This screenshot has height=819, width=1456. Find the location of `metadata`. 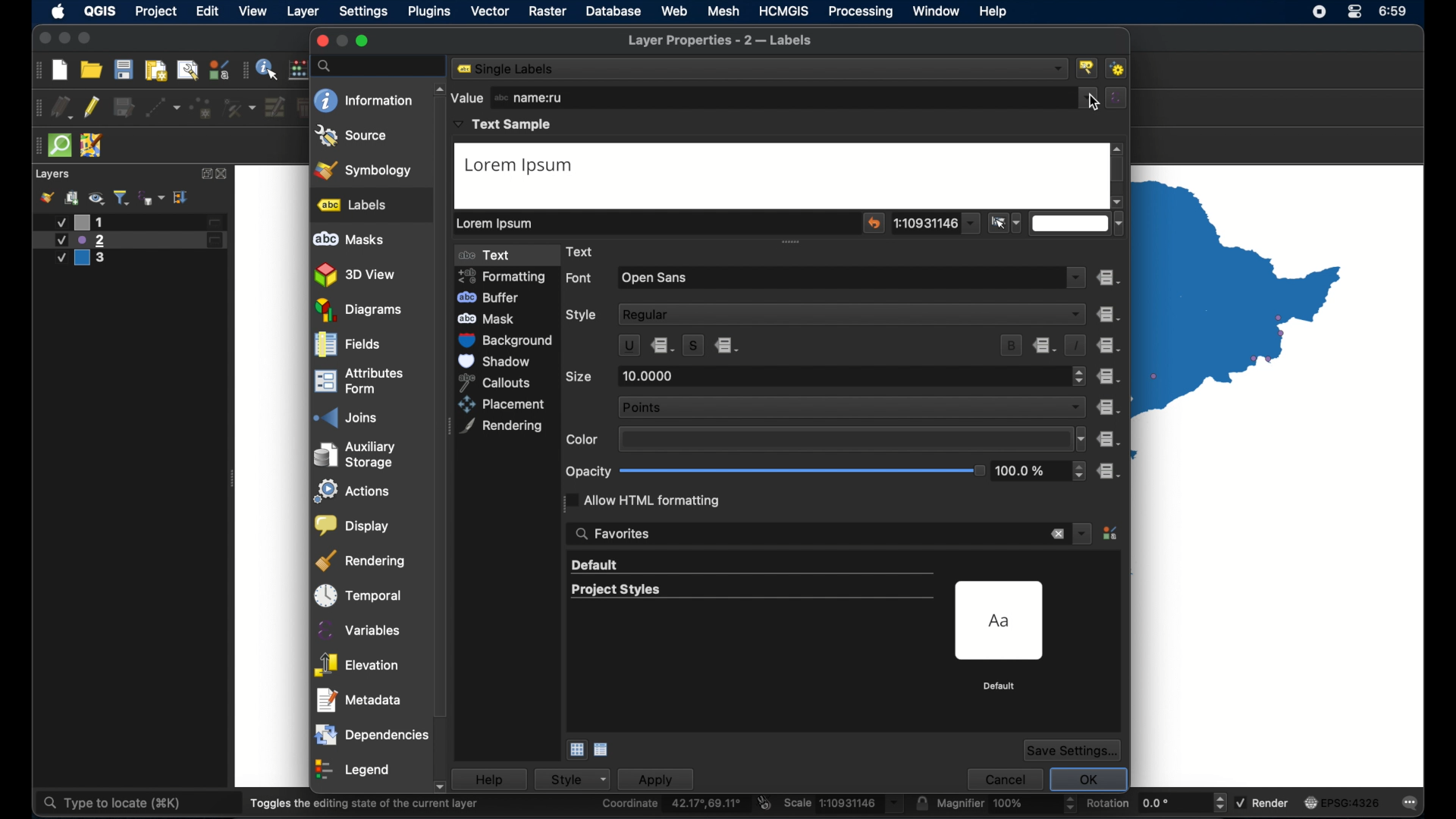

metadata is located at coordinates (359, 696).